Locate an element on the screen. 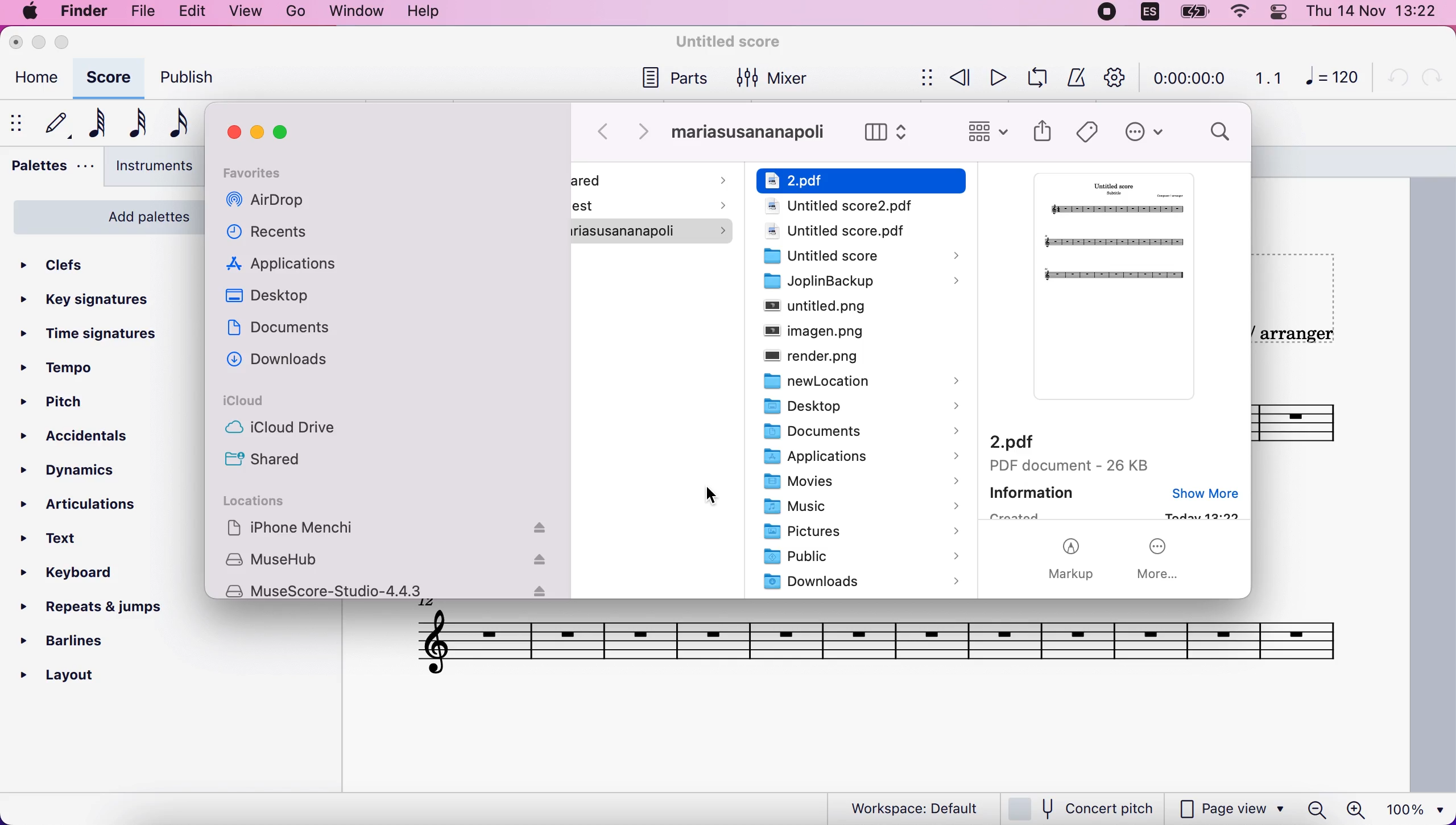  maximize is located at coordinates (287, 131).